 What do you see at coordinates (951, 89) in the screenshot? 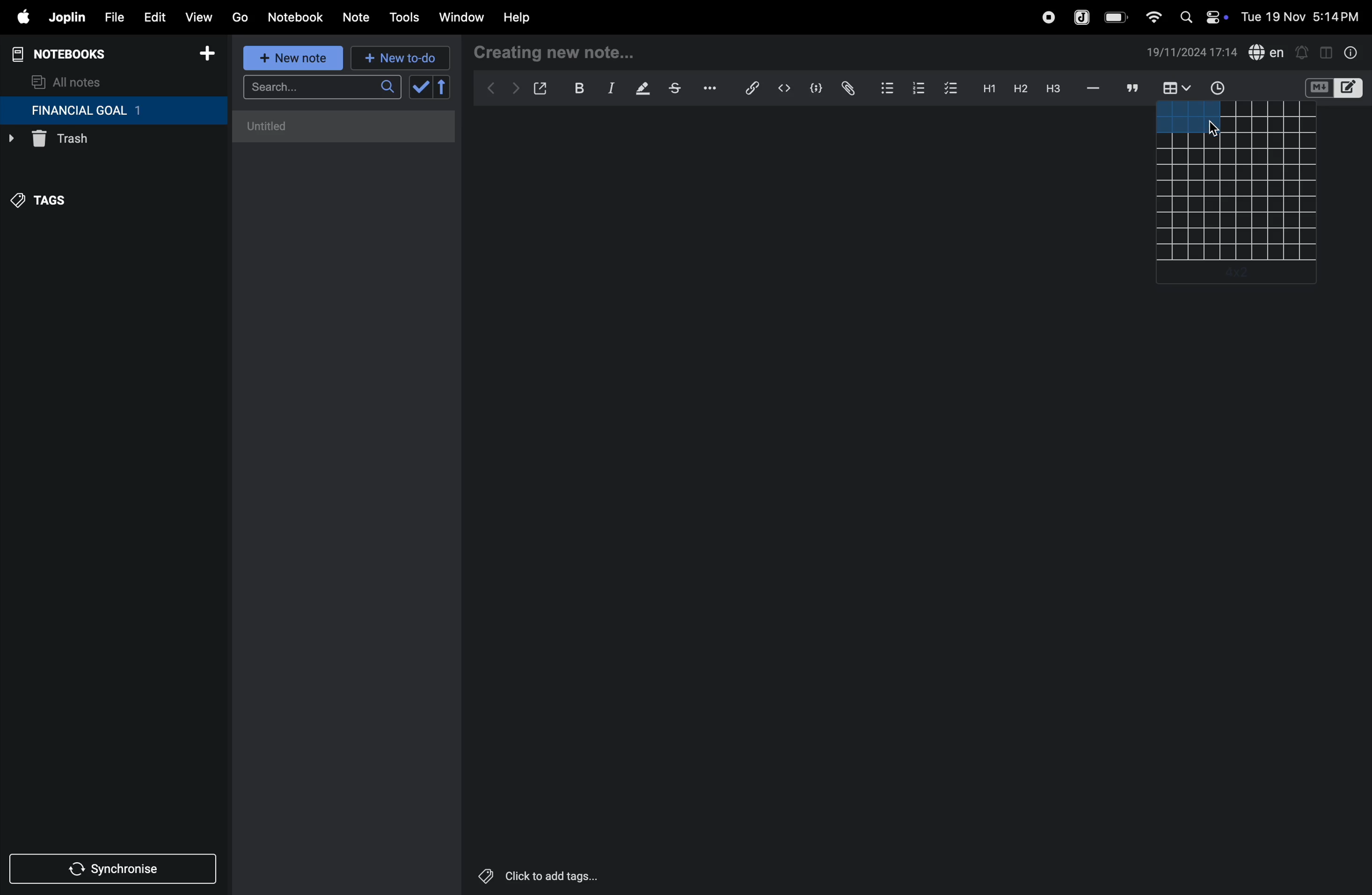
I see `check box` at bounding box center [951, 89].